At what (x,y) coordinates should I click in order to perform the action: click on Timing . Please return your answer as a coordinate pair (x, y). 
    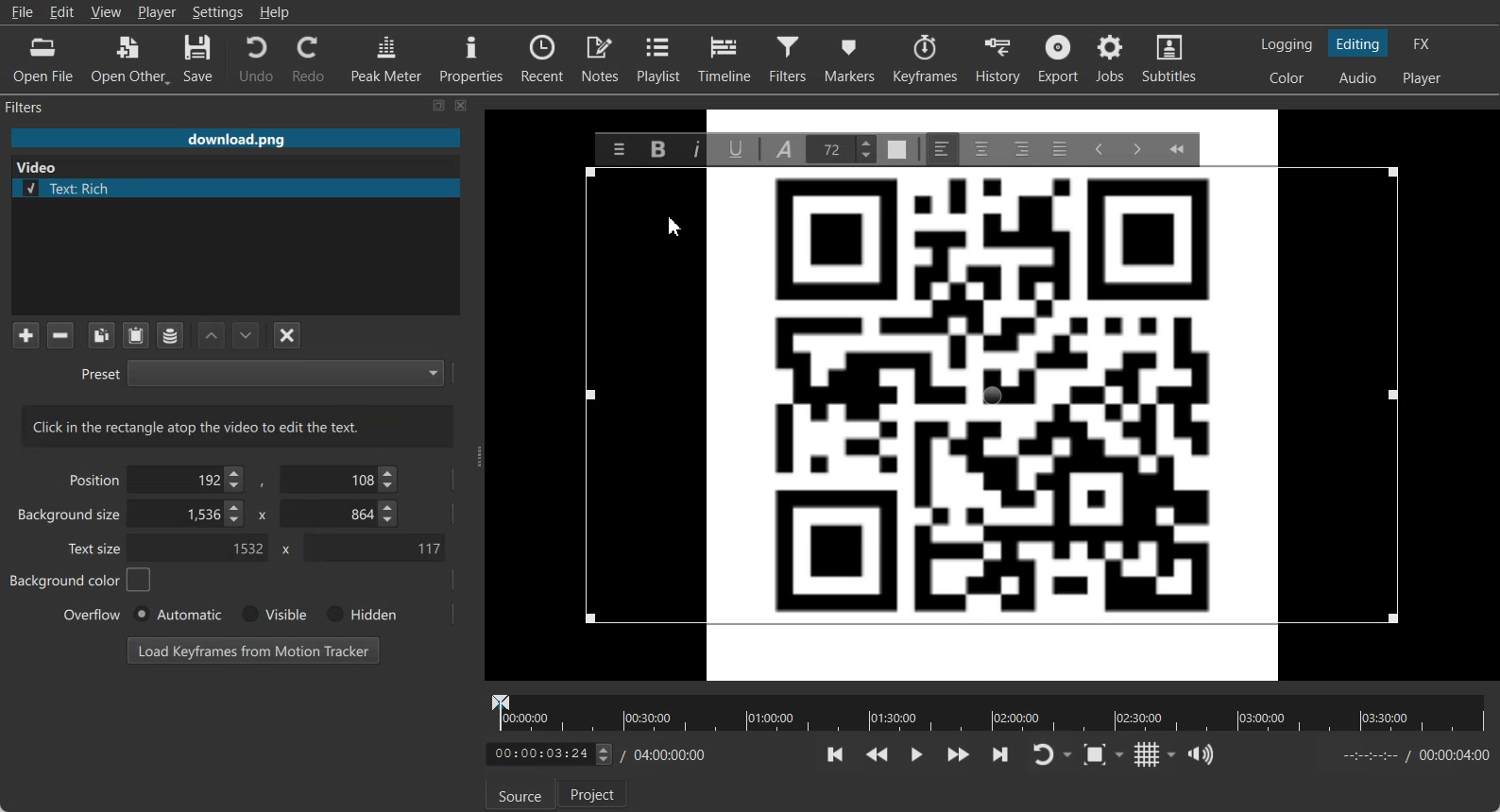
    Looking at the image, I should click on (665, 754).